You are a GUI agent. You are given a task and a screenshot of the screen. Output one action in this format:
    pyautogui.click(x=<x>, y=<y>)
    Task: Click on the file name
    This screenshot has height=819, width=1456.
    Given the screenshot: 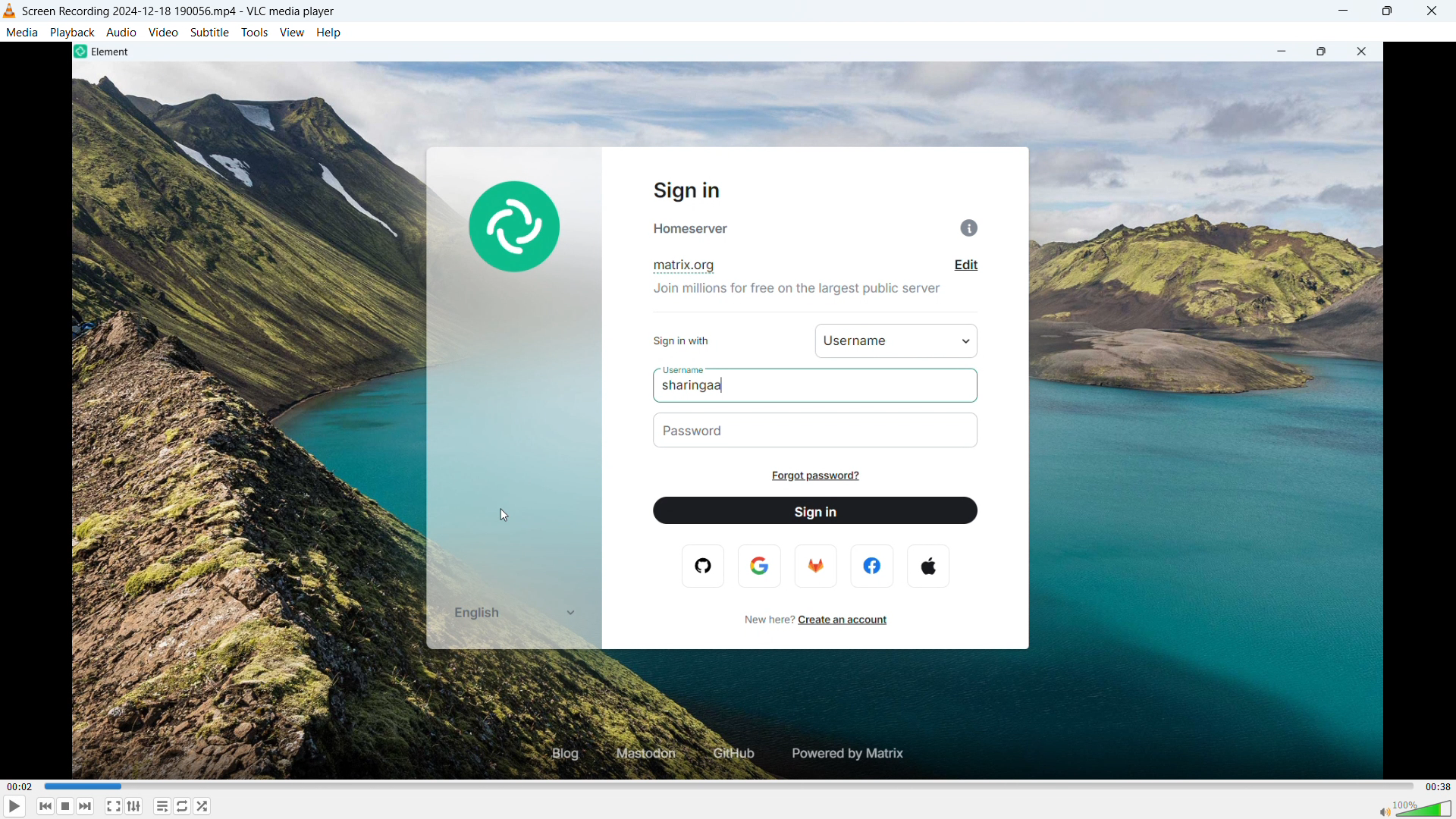 What is the action you would take?
    pyautogui.click(x=179, y=12)
    